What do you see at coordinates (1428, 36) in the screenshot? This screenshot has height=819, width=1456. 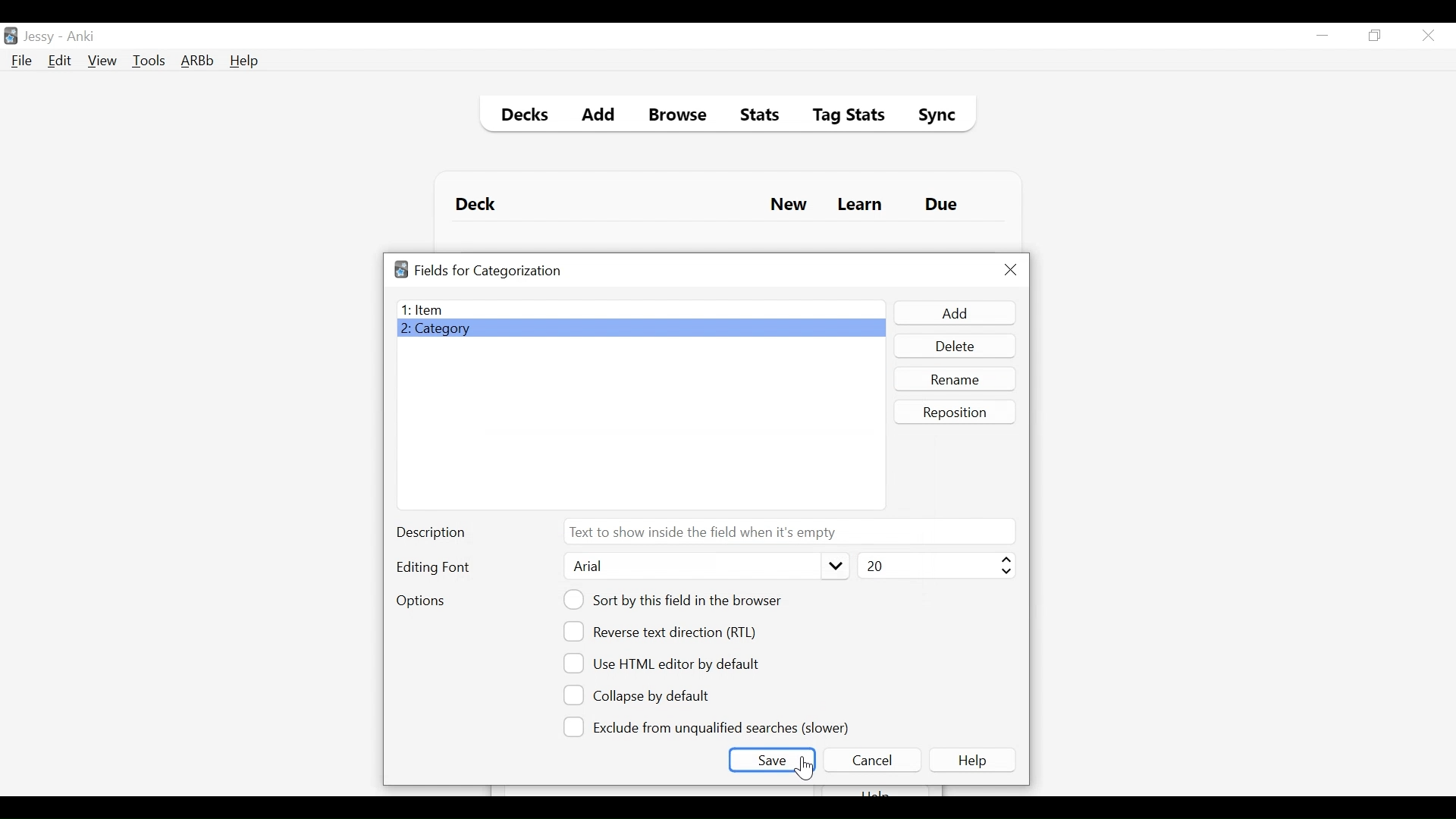 I see `Close` at bounding box center [1428, 36].